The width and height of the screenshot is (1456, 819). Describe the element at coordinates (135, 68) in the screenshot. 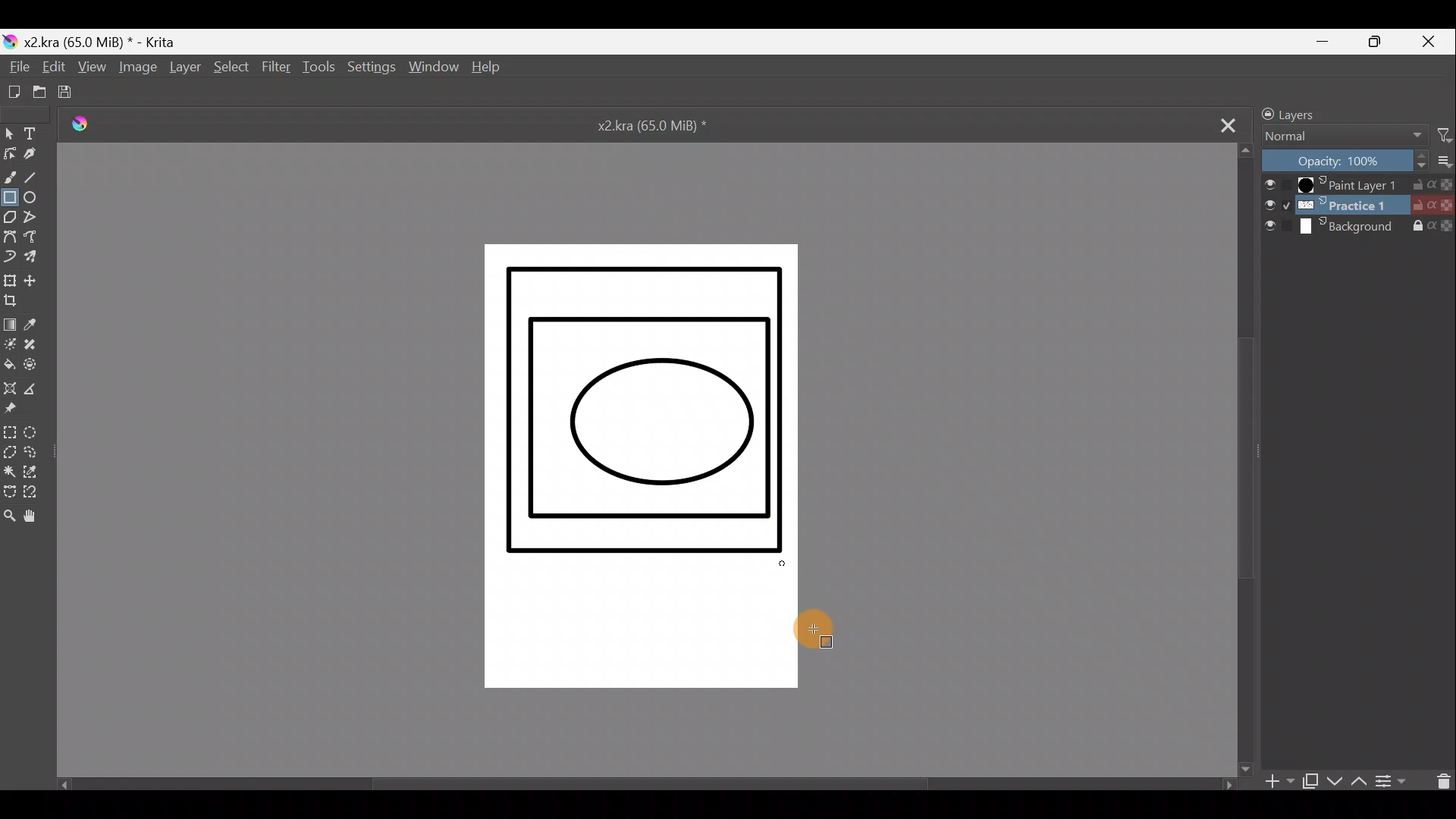

I see `Image` at that location.